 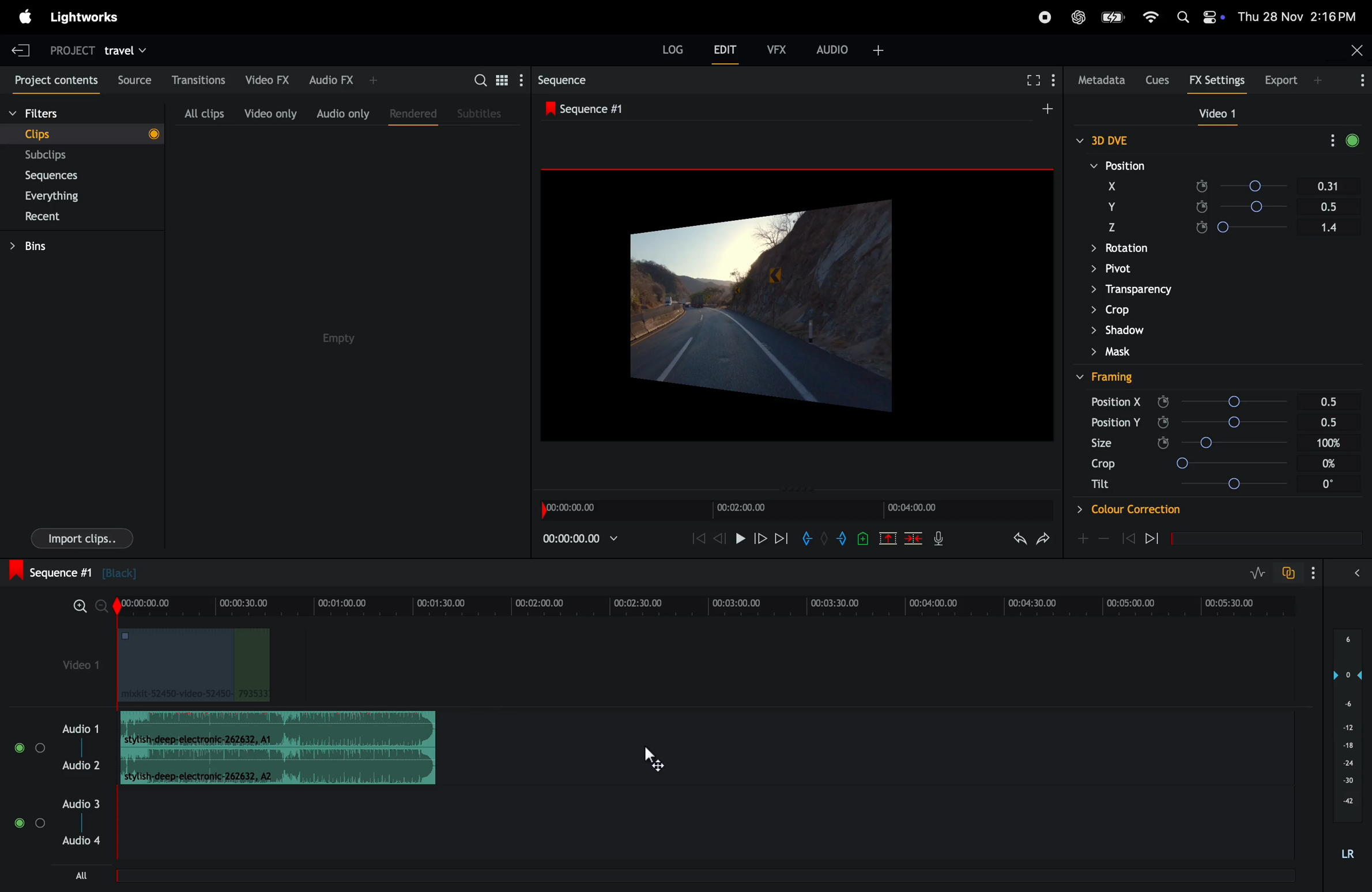 What do you see at coordinates (62, 196) in the screenshot?
I see `everything` at bounding box center [62, 196].